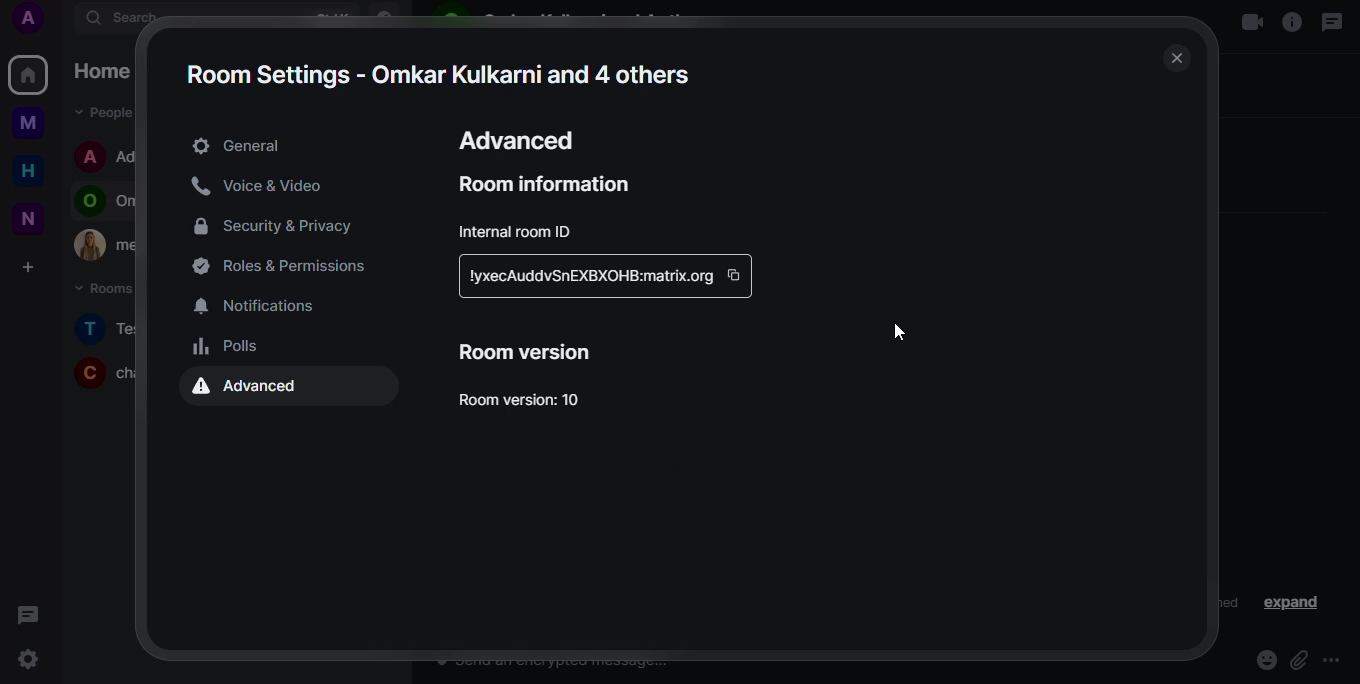 The image size is (1360, 684). What do you see at coordinates (29, 123) in the screenshot?
I see `myspace` at bounding box center [29, 123].